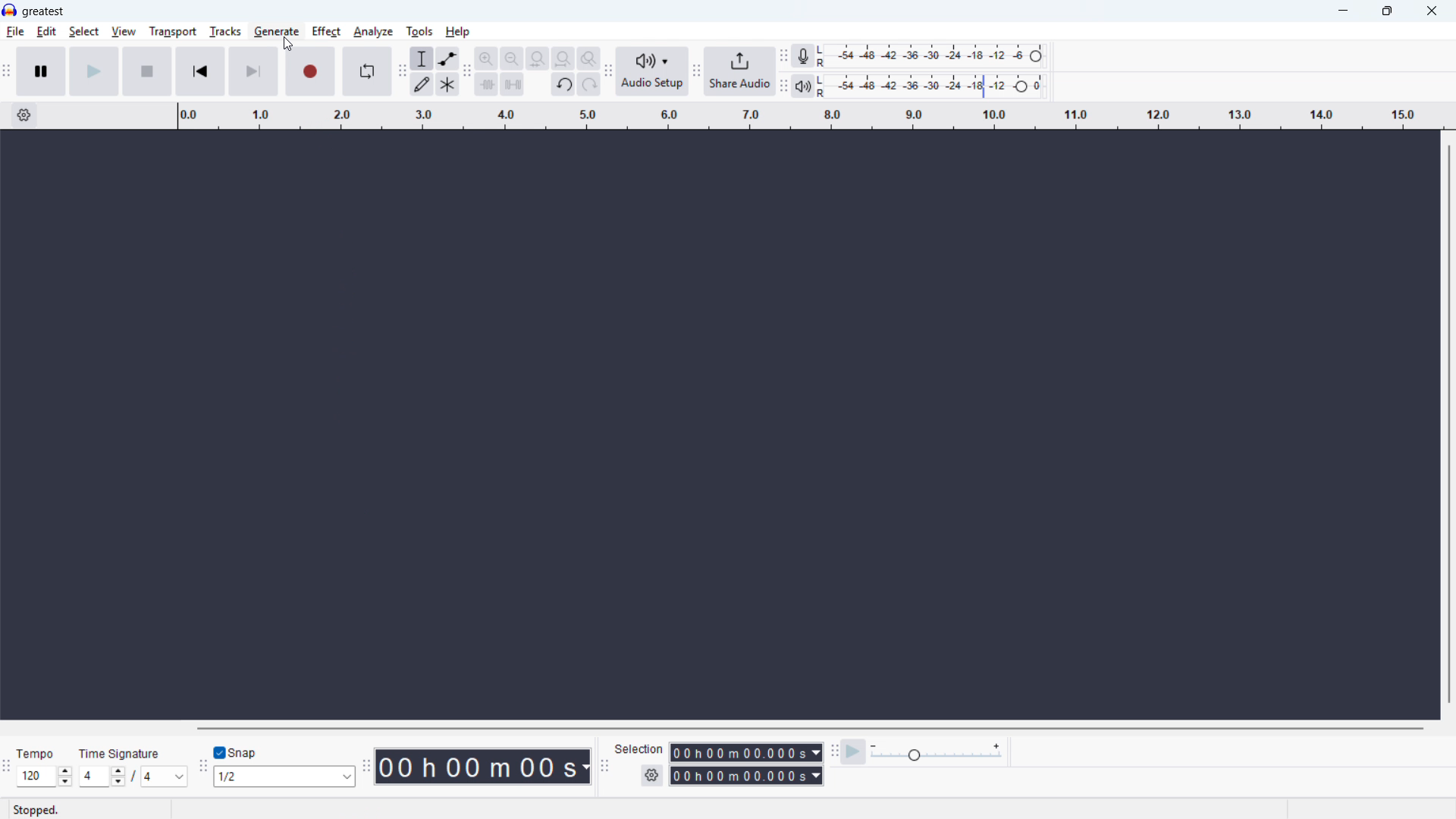  What do you see at coordinates (538, 58) in the screenshot?
I see `fit selection to width` at bounding box center [538, 58].